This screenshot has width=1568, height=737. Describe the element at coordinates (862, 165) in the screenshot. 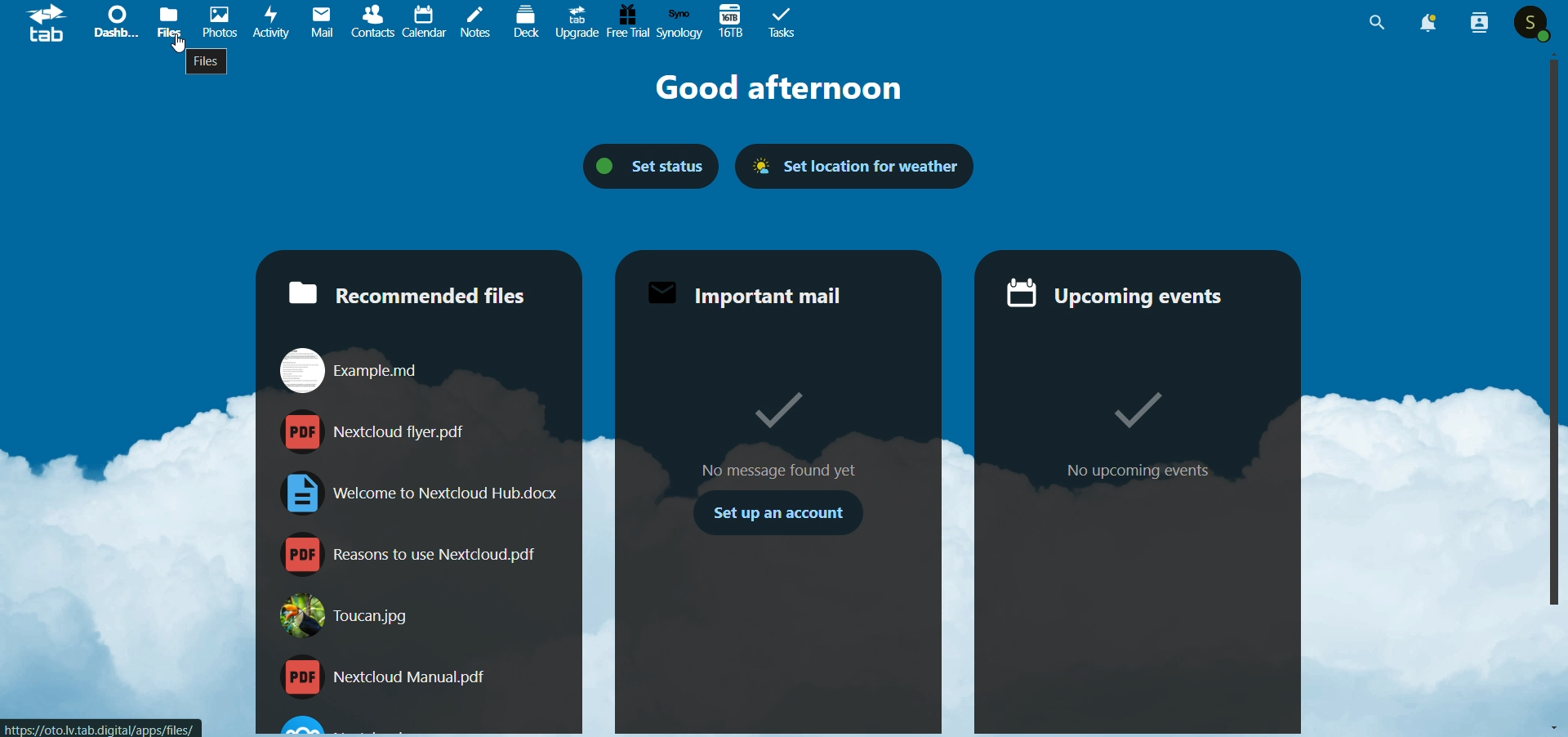

I see `set location for weather` at that location.